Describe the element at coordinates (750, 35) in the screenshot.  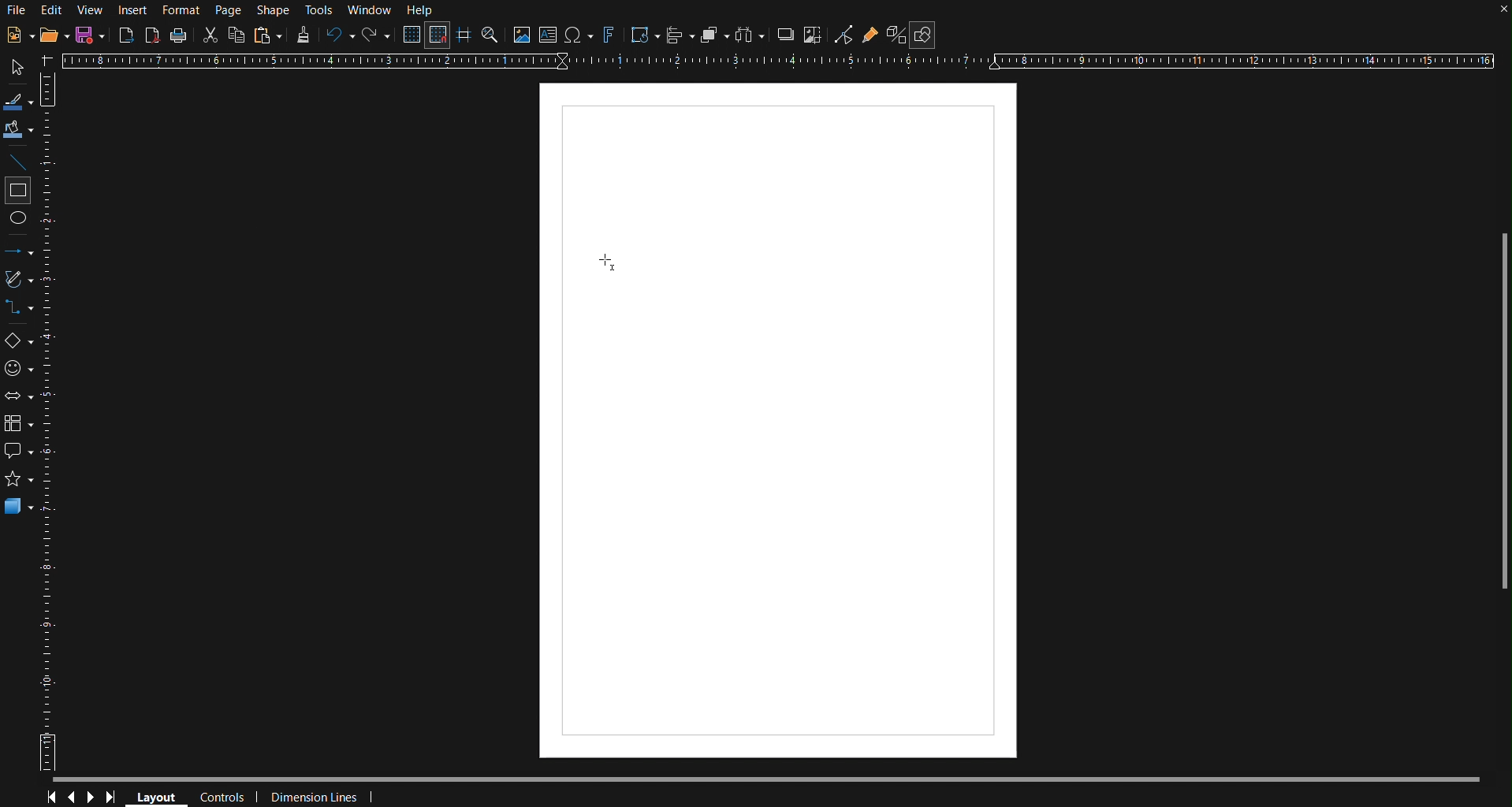
I see `Distribute objects` at that location.